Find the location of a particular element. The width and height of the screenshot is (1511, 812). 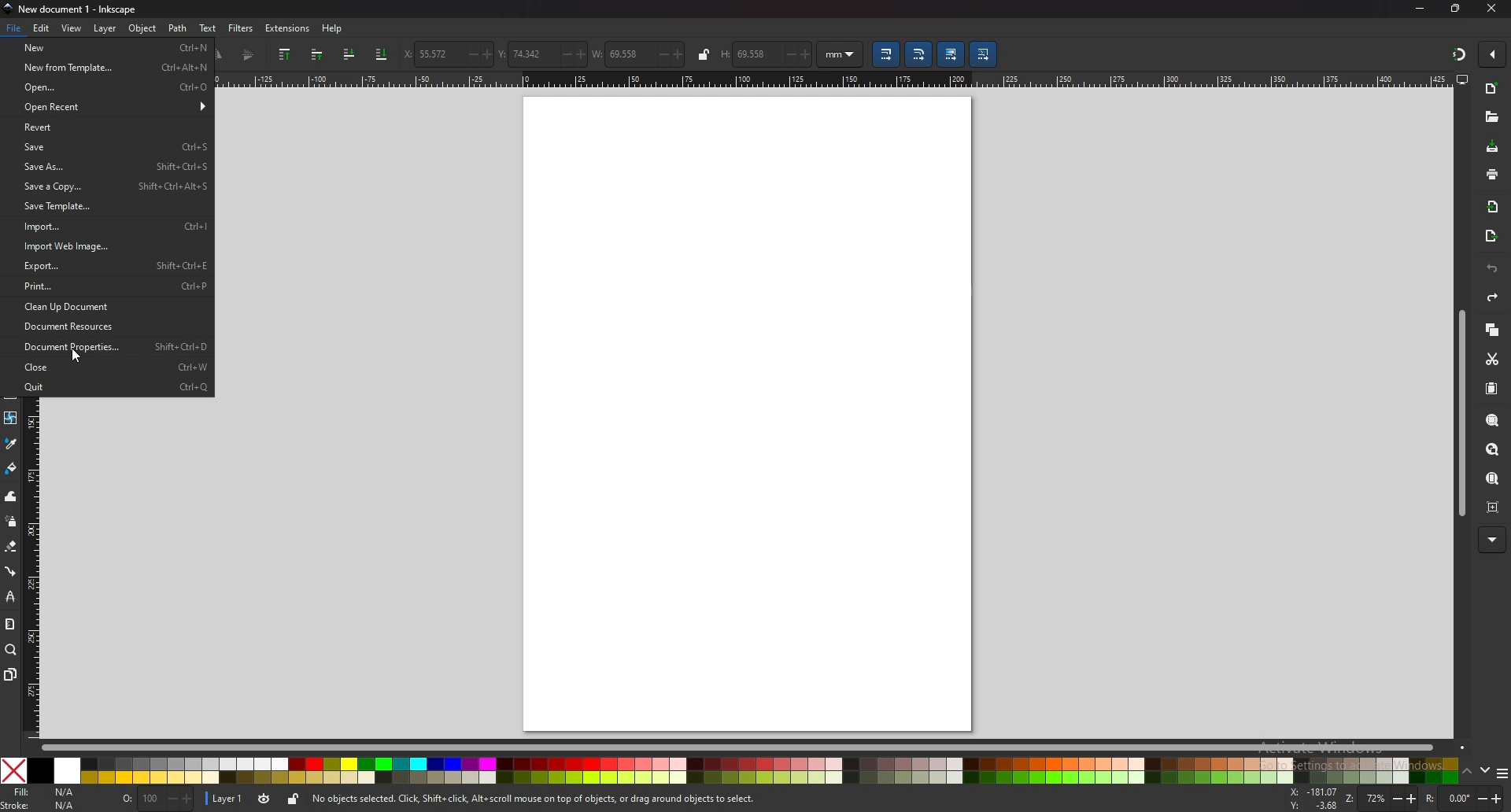

new is located at coordinates (1492, 89).